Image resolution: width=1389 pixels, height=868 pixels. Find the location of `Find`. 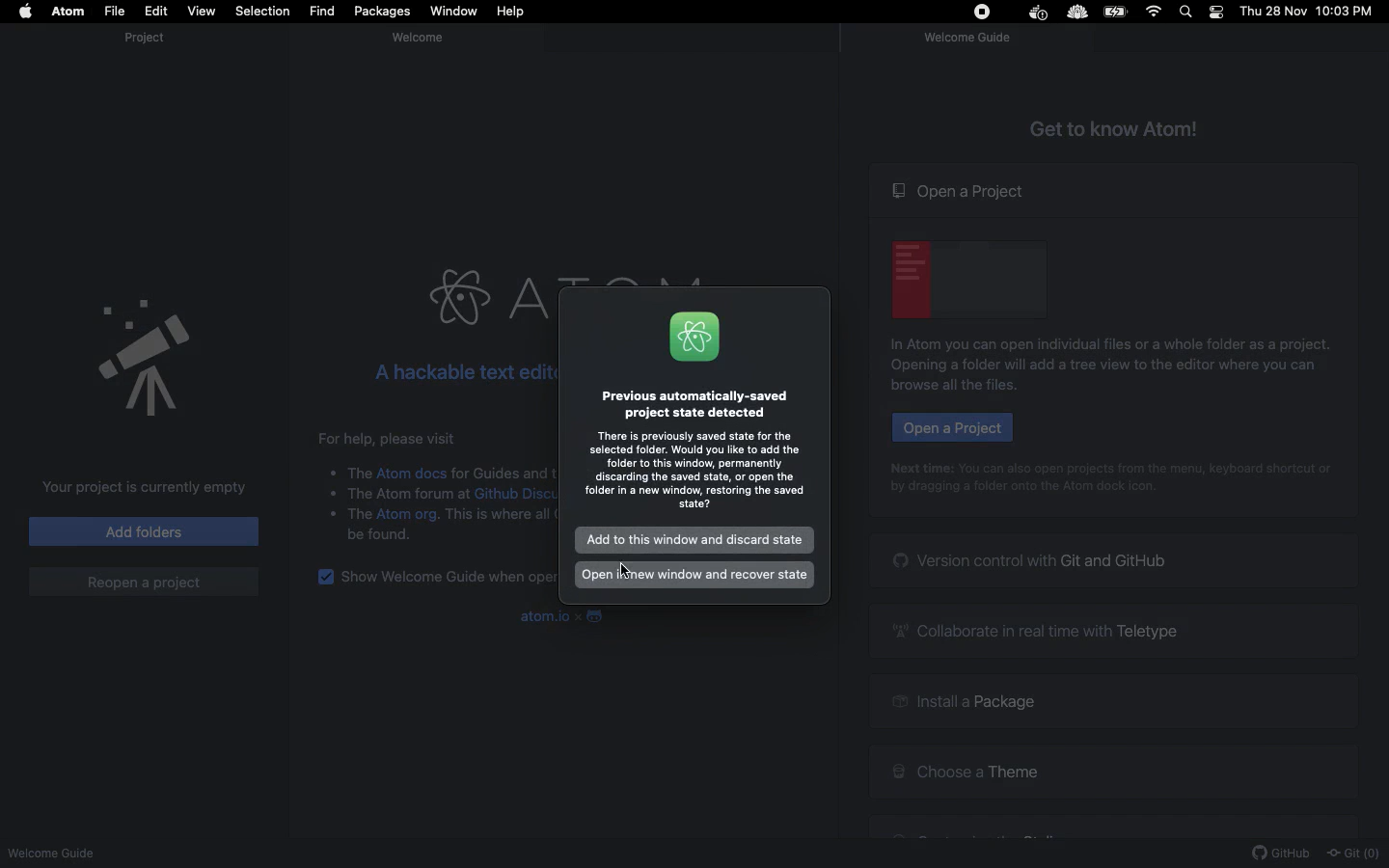

Find is located at coordinates (321, 12).